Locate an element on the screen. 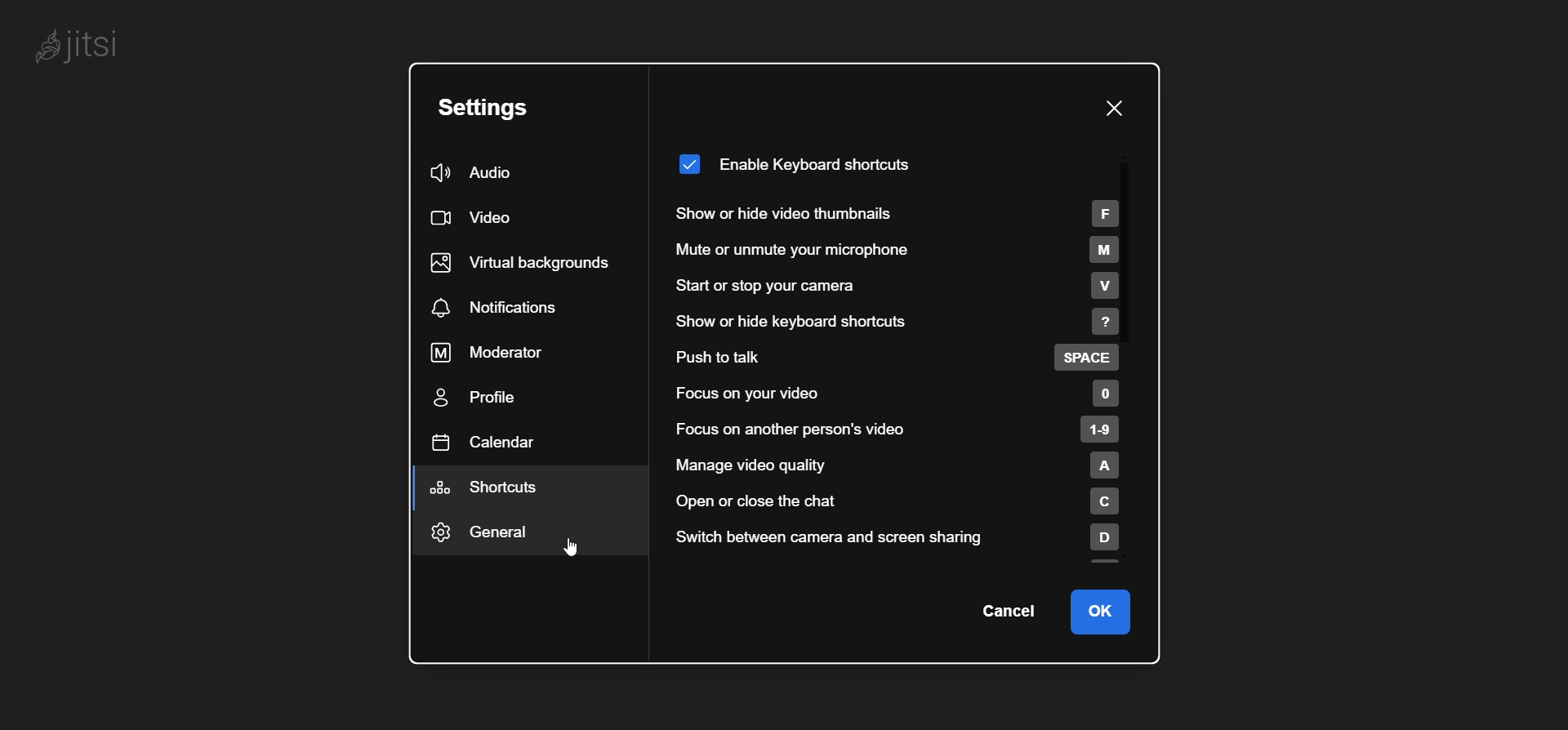 Image resolution: width=1568 pixels, height=730 pixels. focus on another person video is located at coordinates (900, 430).